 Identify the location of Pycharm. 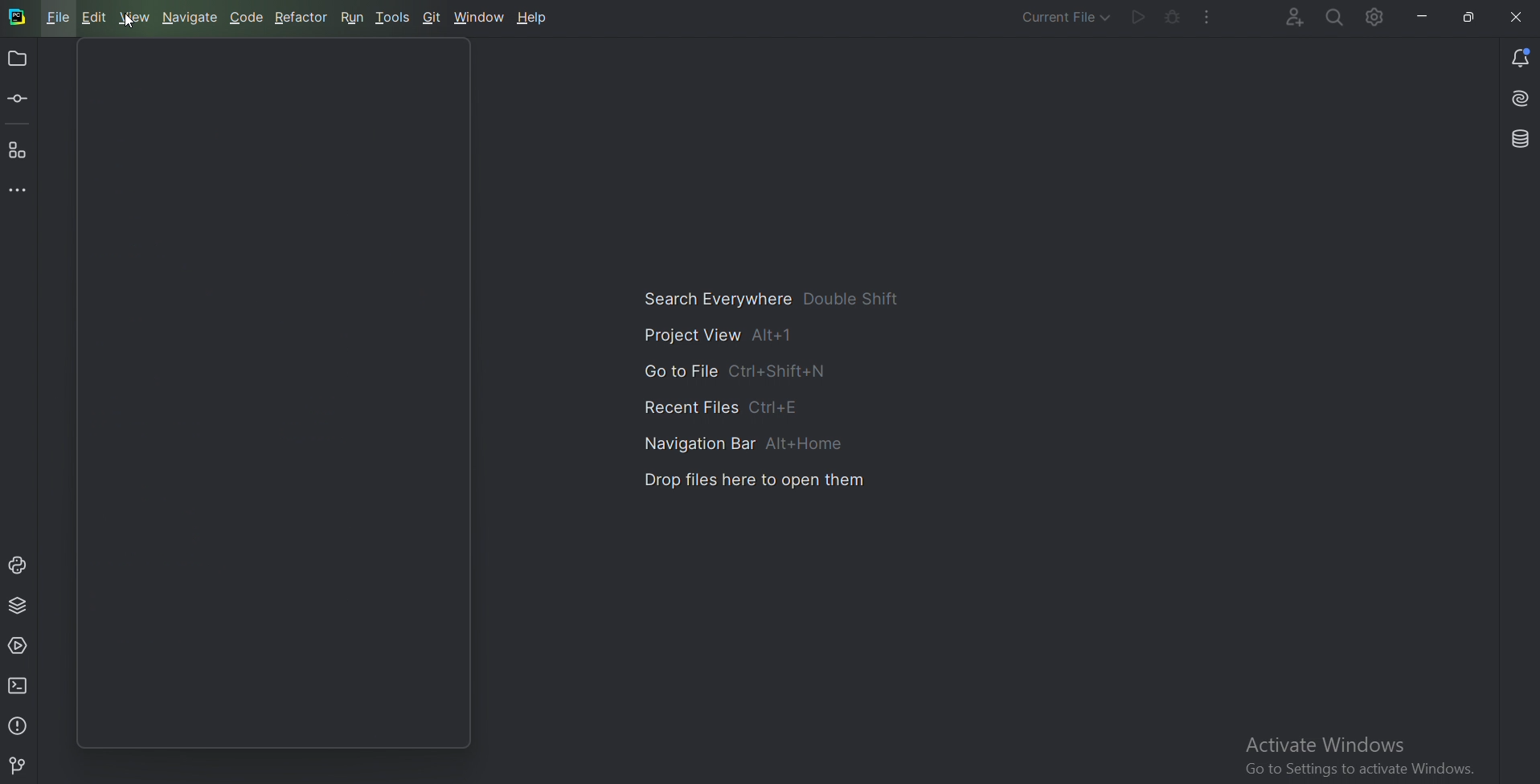
(16, 18).